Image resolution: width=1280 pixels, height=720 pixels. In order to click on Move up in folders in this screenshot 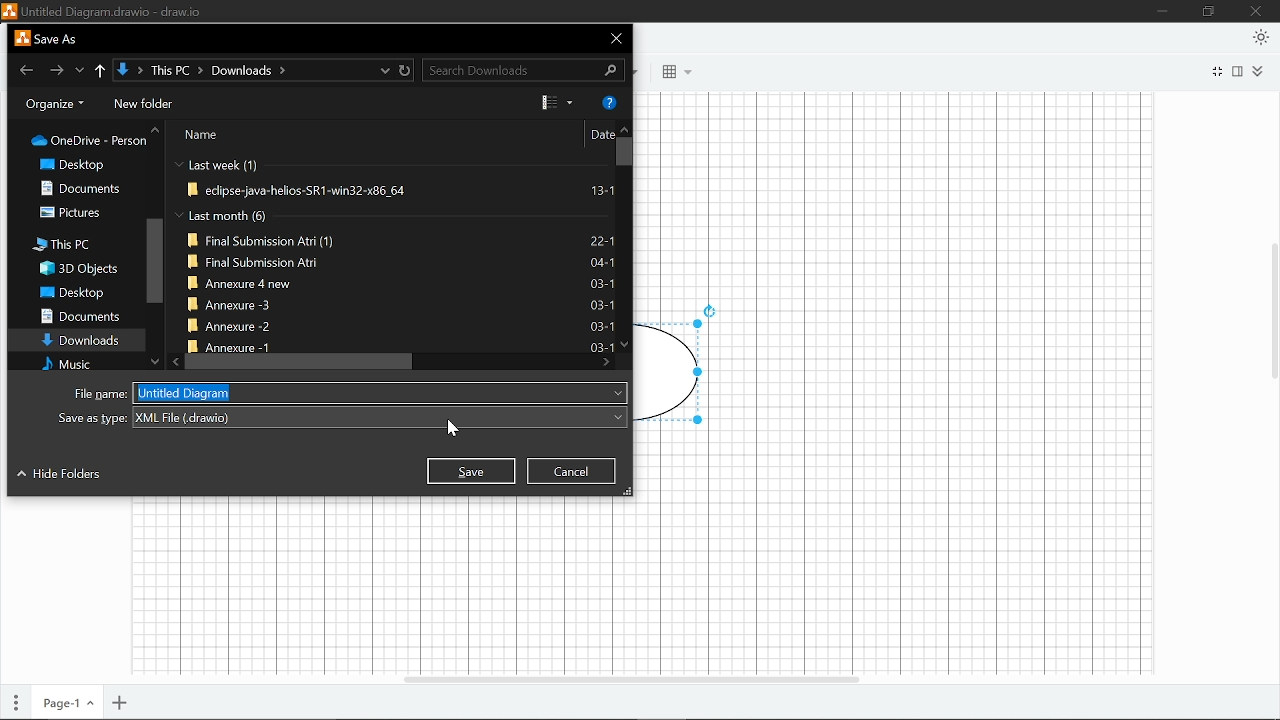, I will do `click(157, 129)`.